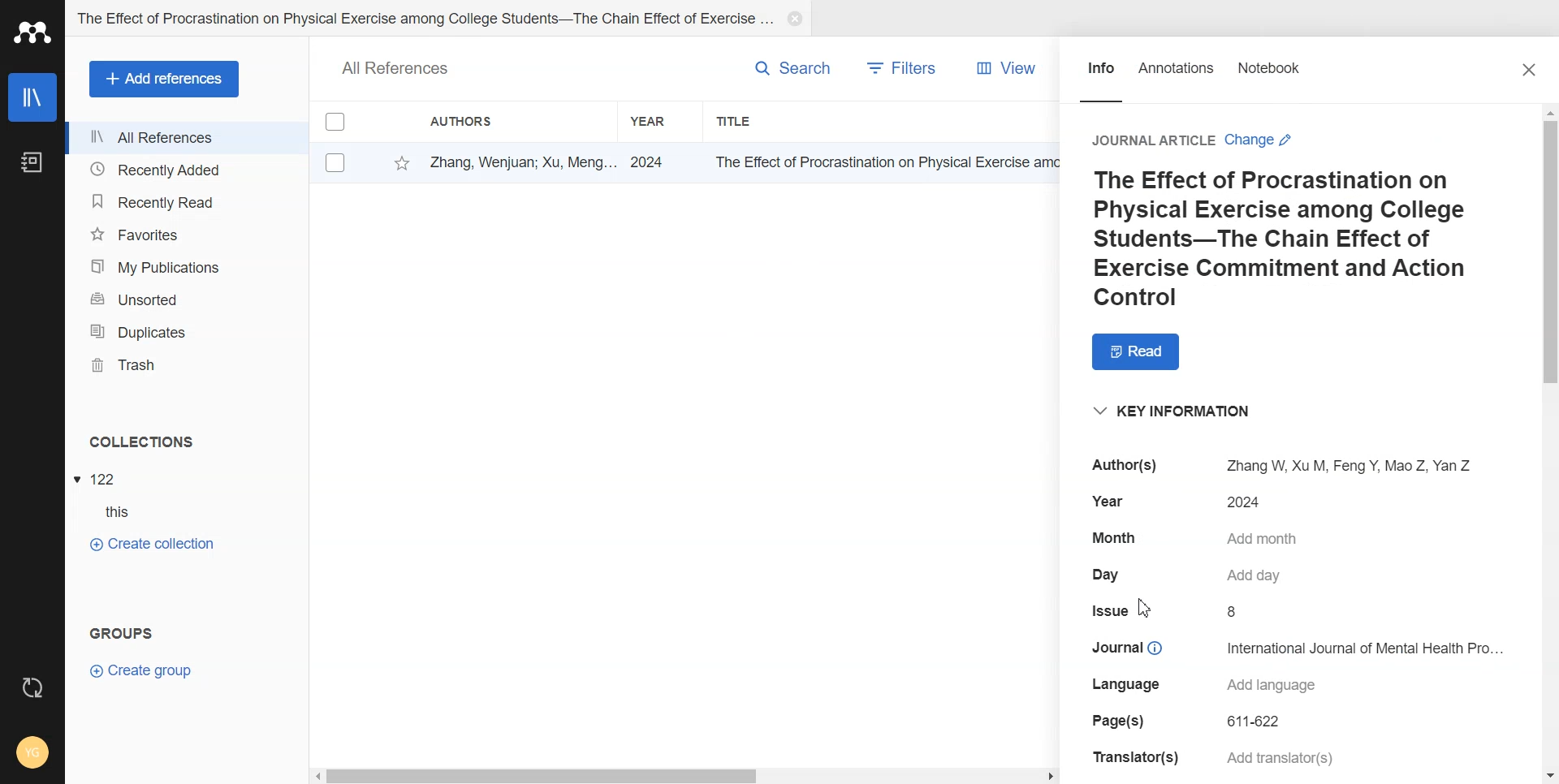 The image size is (1559, 784). Describe the element at coordinates (1099, 75) in the screenshot. I see `Info` at that location.